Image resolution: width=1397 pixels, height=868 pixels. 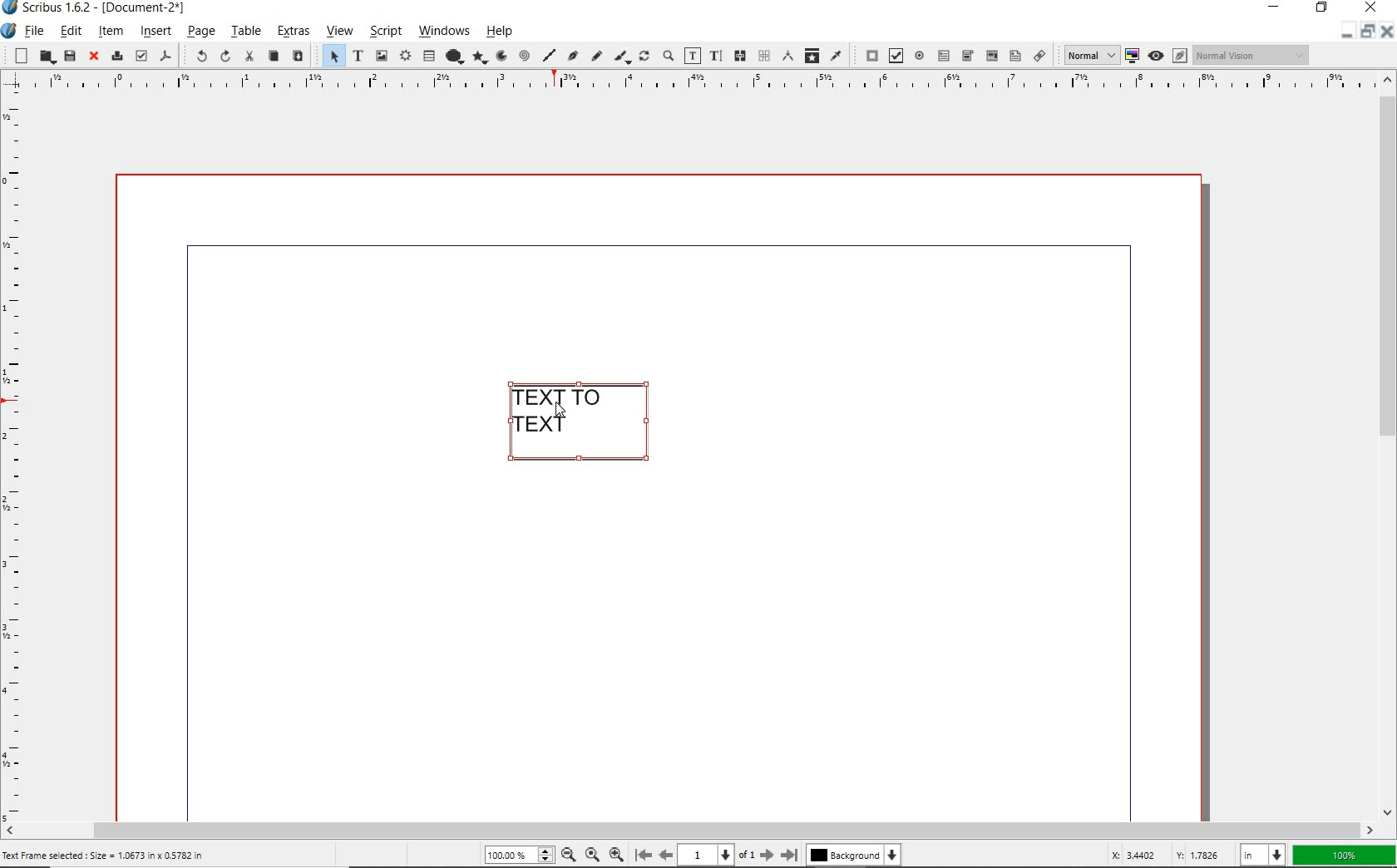 What do you see at coordinates (165, 57) in the screenshot?
I see `save as pdf` at bounding box center [165, 57].